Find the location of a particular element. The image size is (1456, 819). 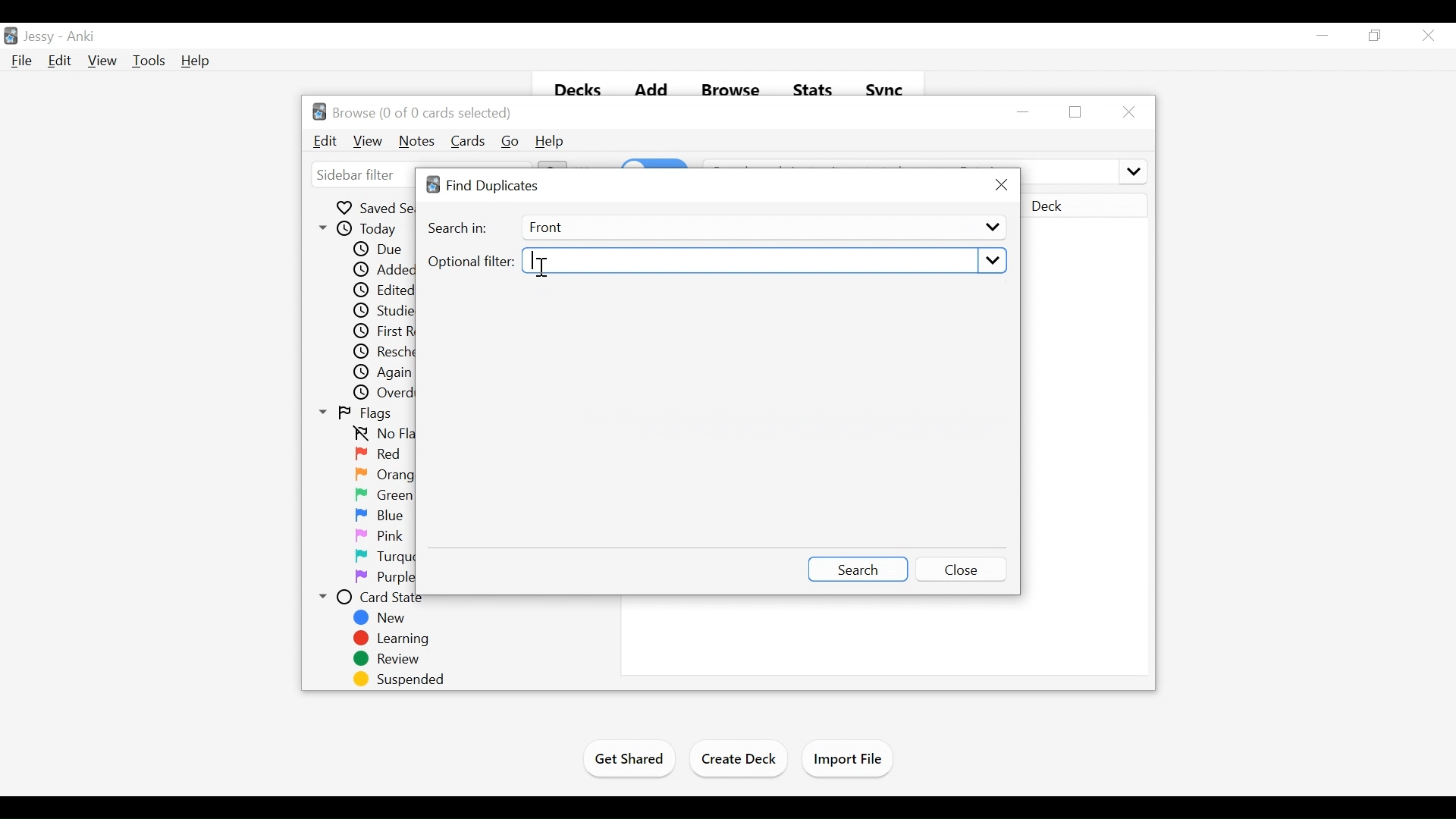

Browse is located at coordinates (730, 86).